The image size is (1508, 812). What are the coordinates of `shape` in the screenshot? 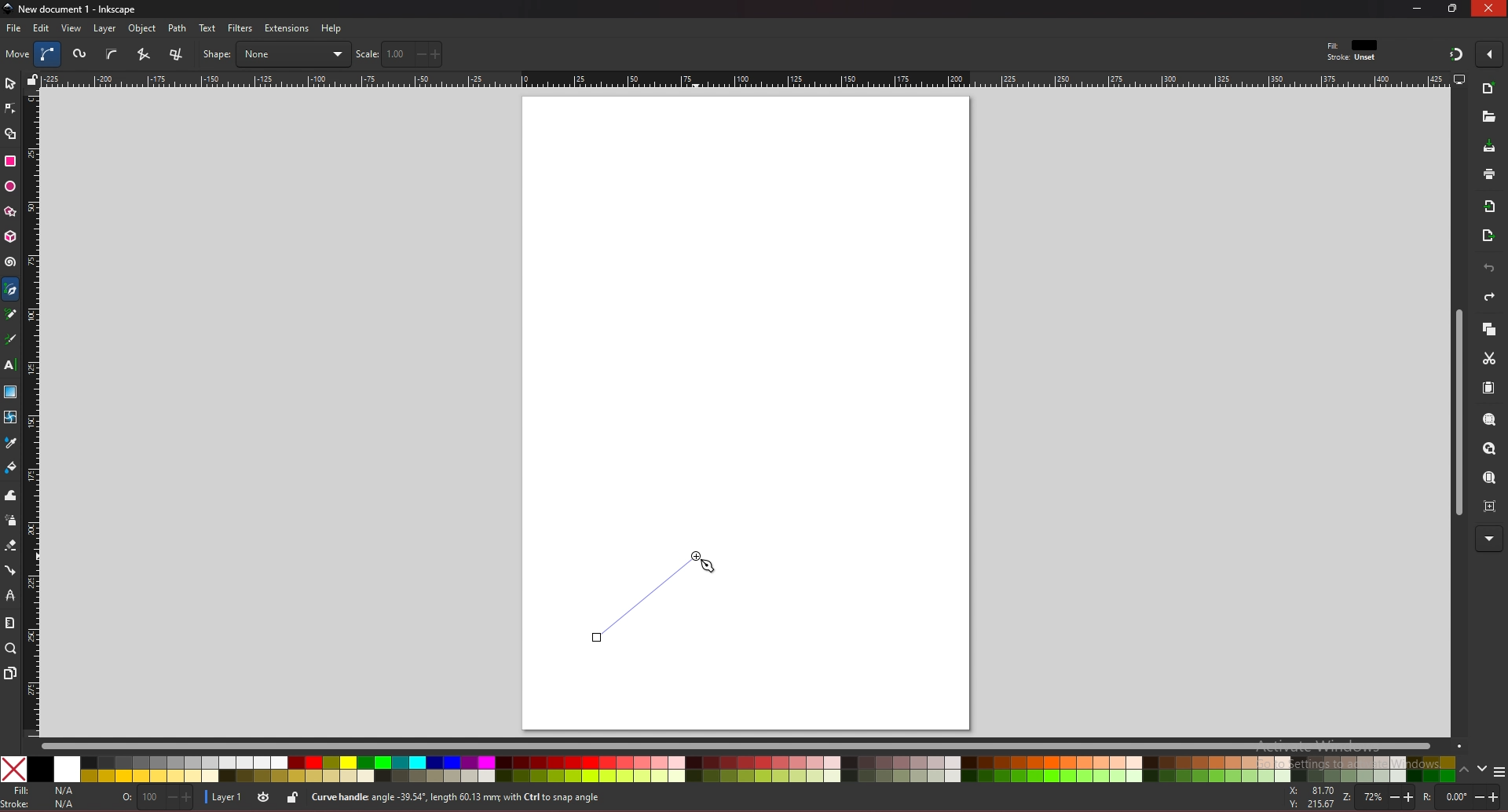 It's located at (276, 54).